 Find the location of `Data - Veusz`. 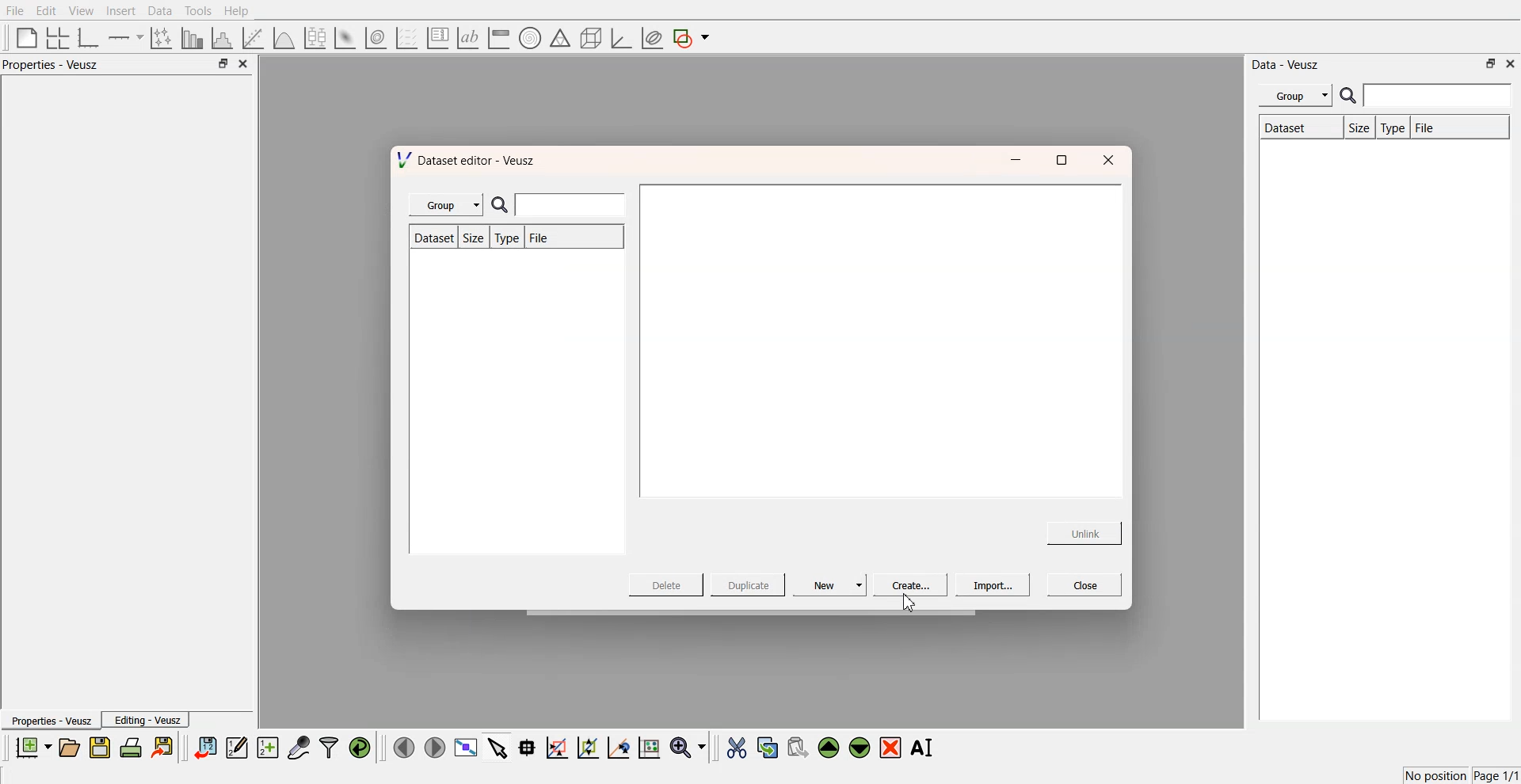

Data - Veusz is located at coordinates (1287, 65).